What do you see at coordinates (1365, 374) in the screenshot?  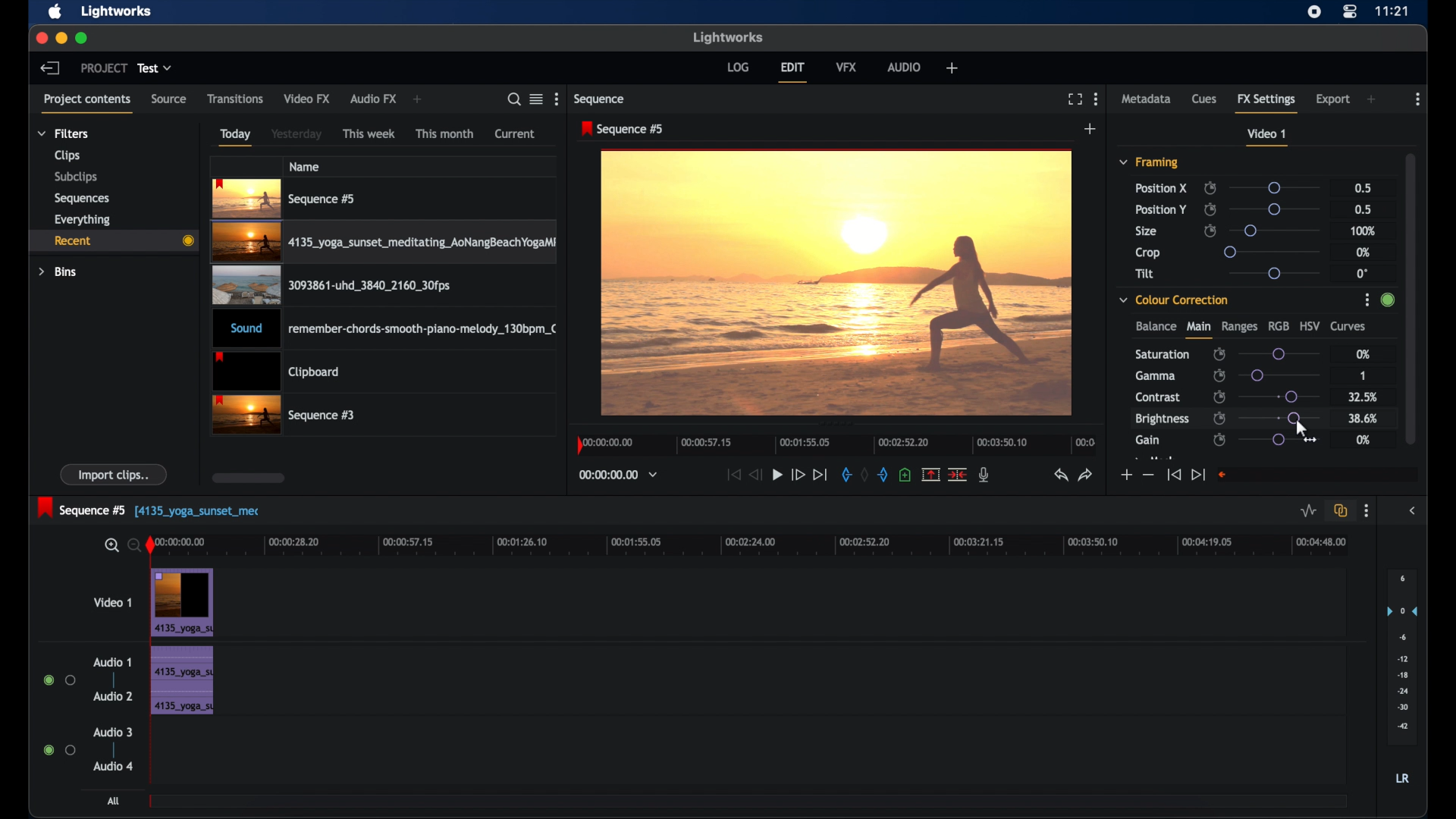 I see `1` at bounding box center [1365, 374].